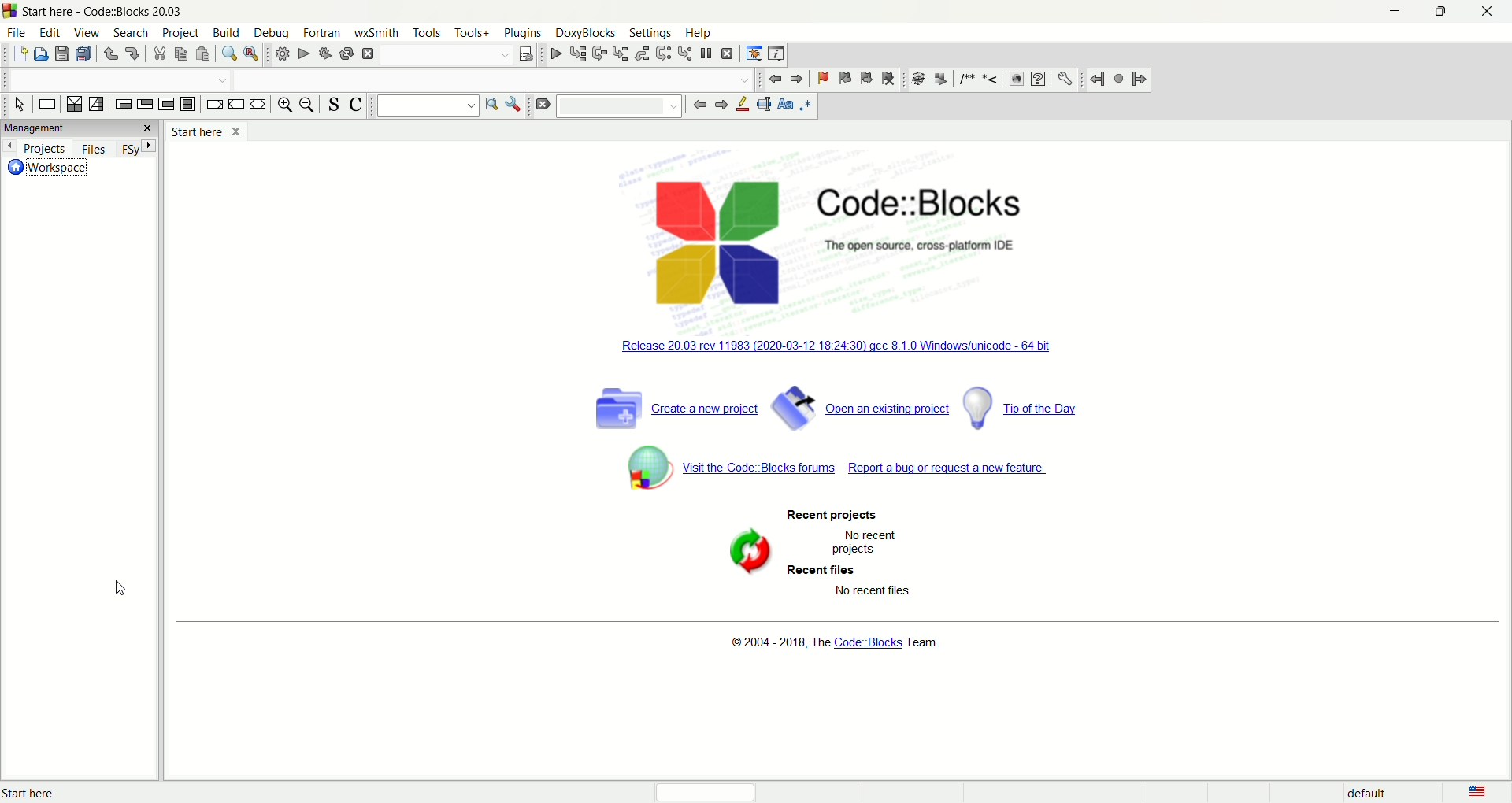  I want to click on cut, so click(156, 54).